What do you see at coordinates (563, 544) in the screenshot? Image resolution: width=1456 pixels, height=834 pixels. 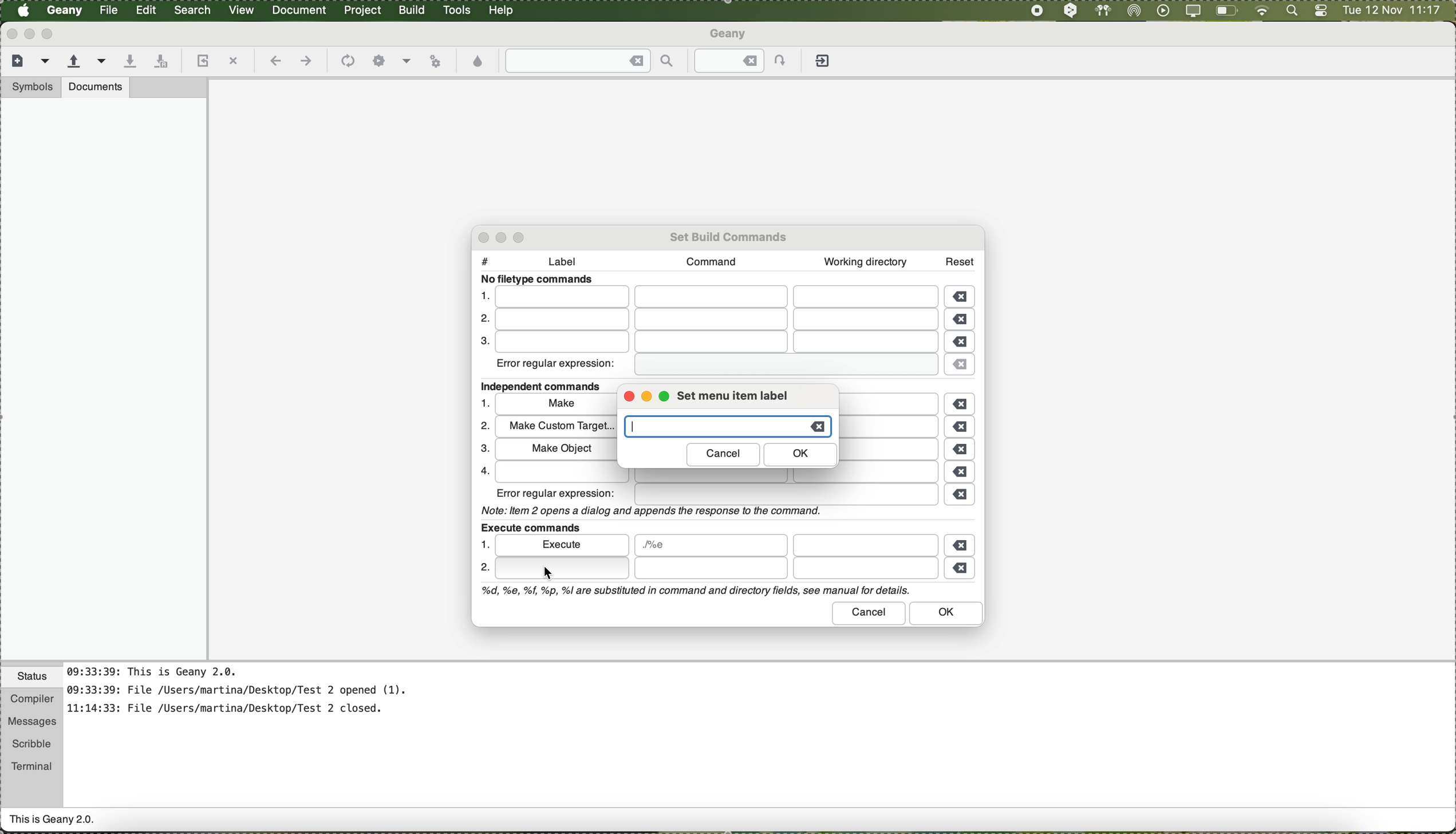 I see `execute` at bounding box center [563, 544].